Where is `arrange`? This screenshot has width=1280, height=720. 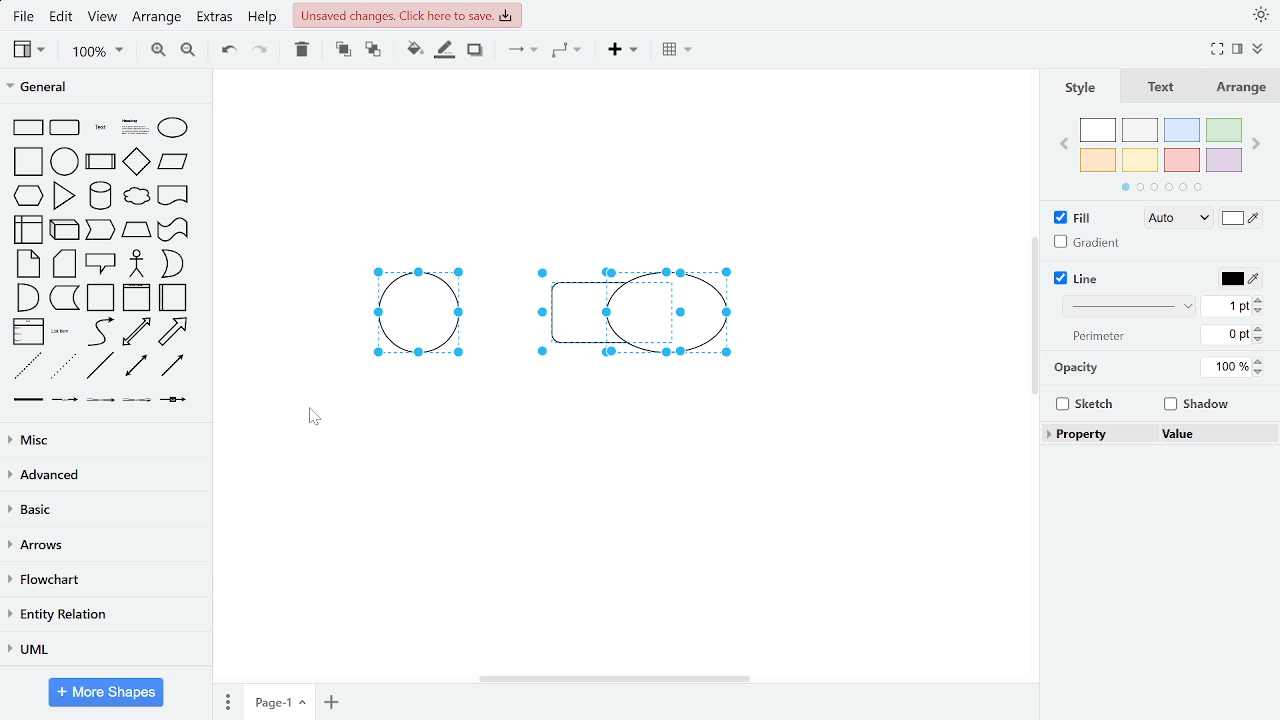
arrange is located at coordinates (159, 17).